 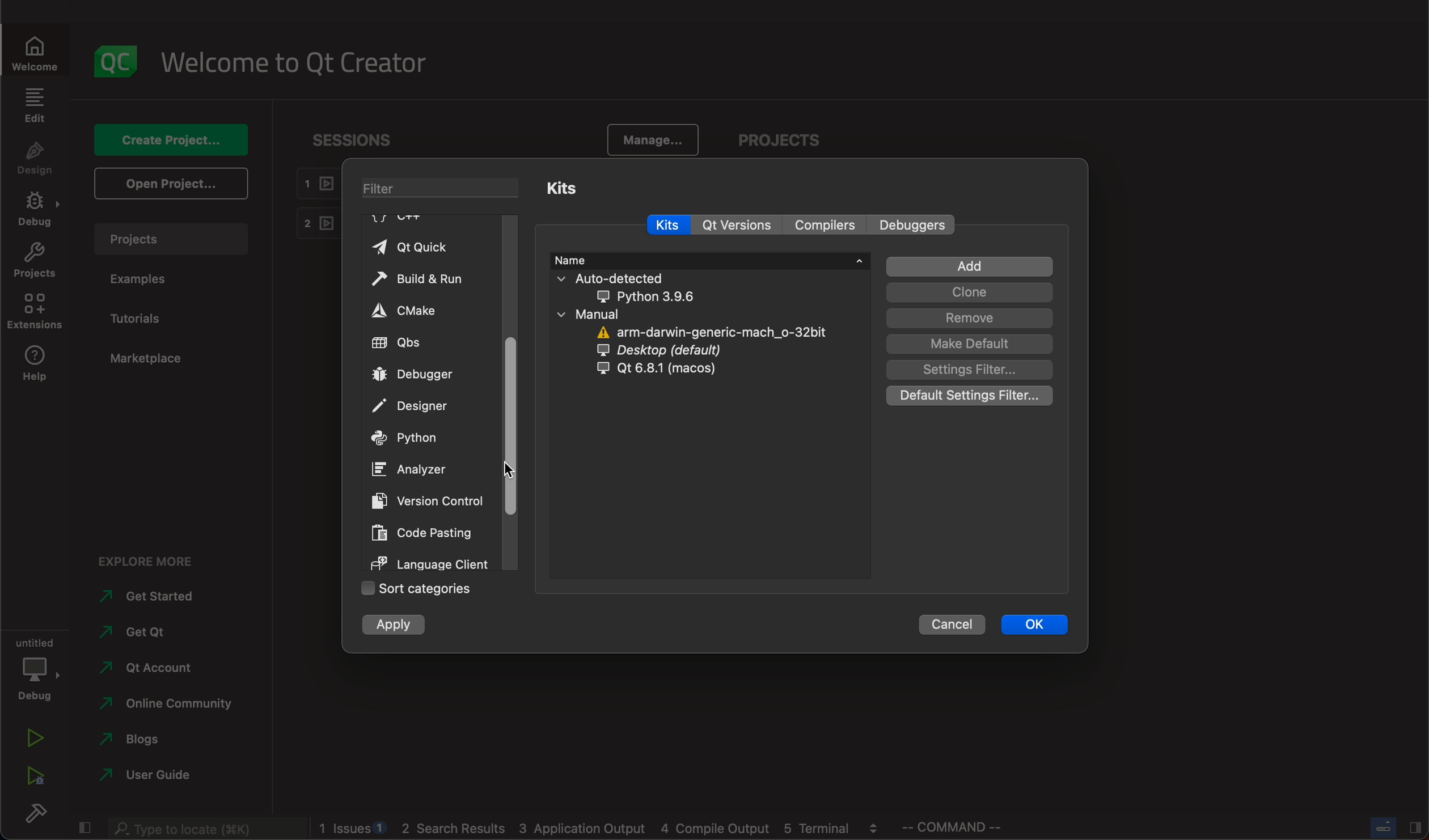 What do you see at coordinates (969, 293) in the screenshot?
I see `clone` at bounding box center [969, 293].